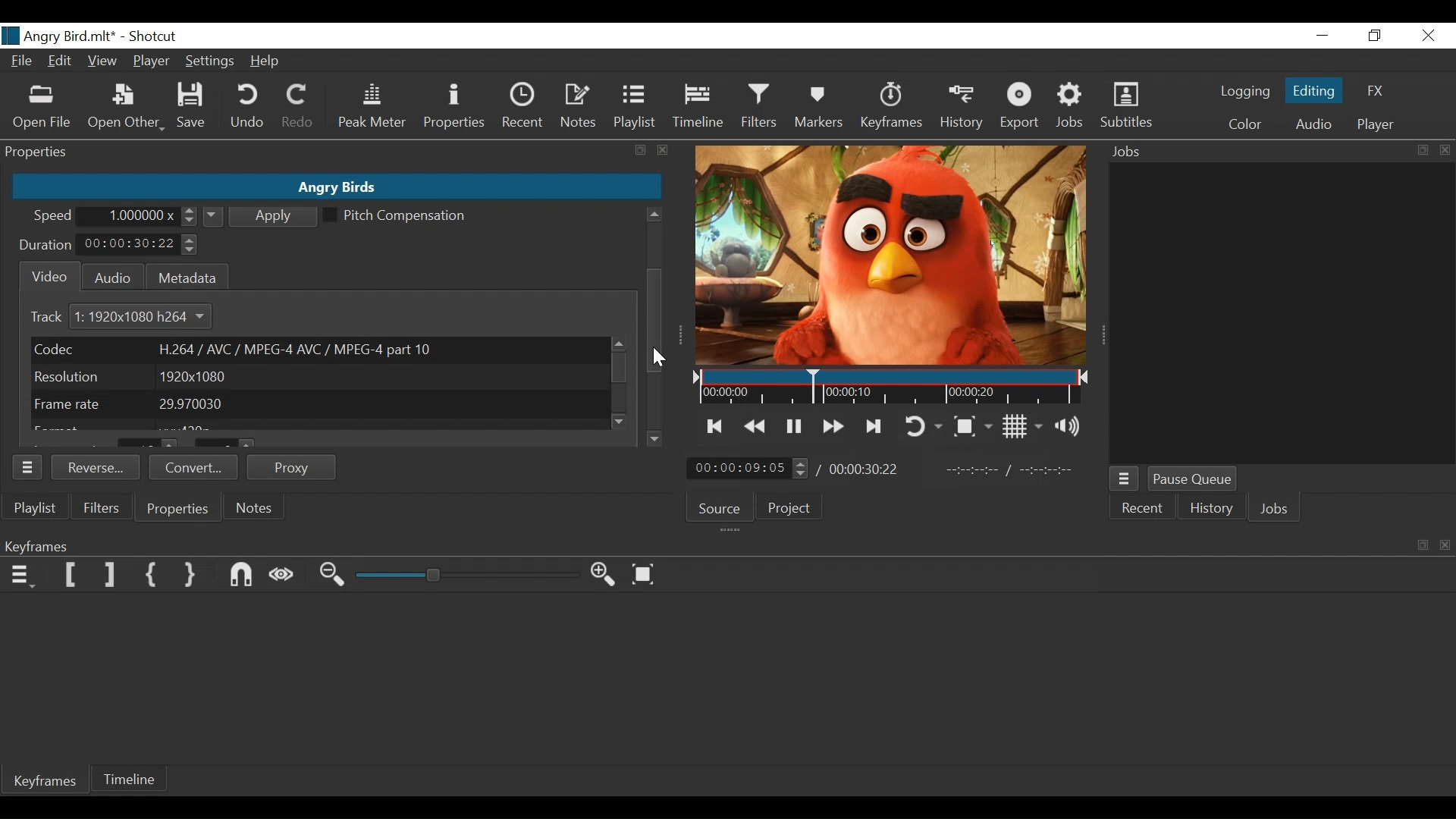 The height and width of the screenshot is (819, 1456). What do you see at coordinates (266, 61) in the screenshot?
I see `Help` at bounding box center [266, 61].